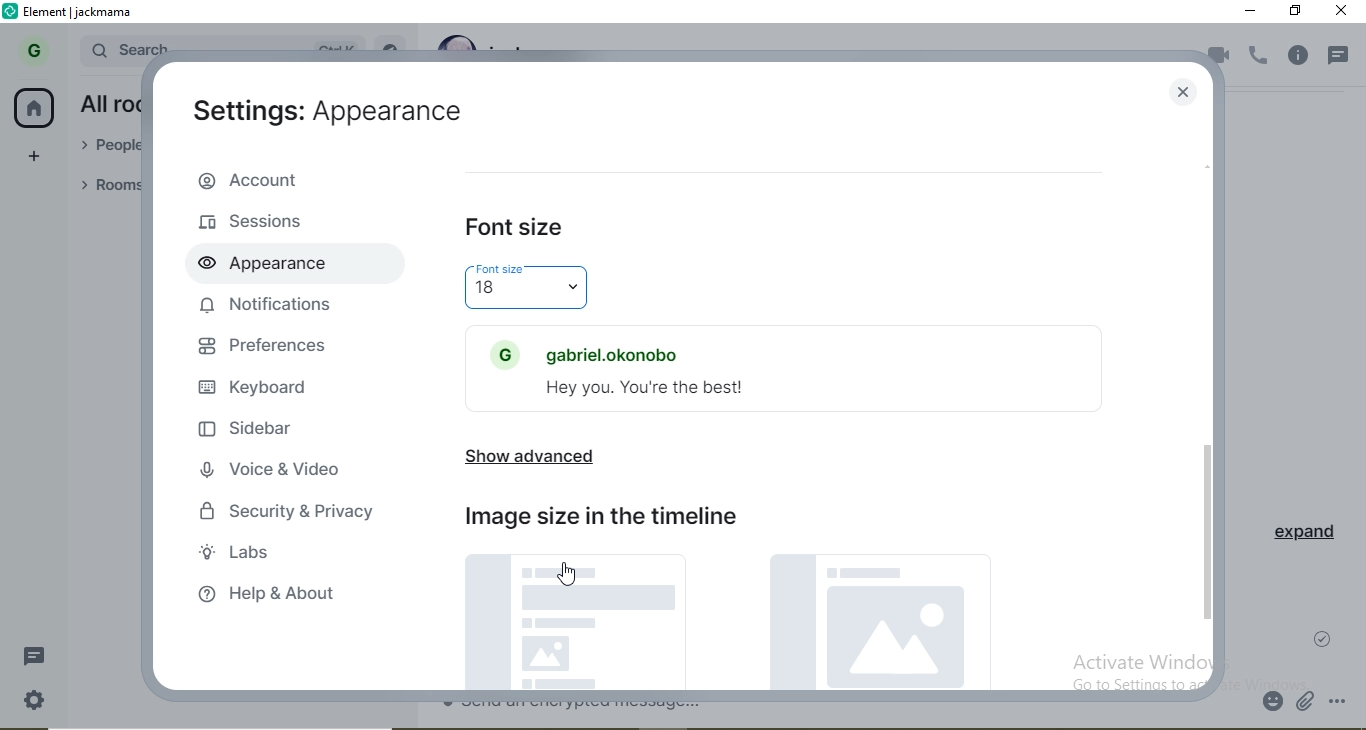 Image resolution: width=1366 pixels, height=730 pixels. Describe the element at coordinates (288, 180) in the screenshot. I see `account` at that location.